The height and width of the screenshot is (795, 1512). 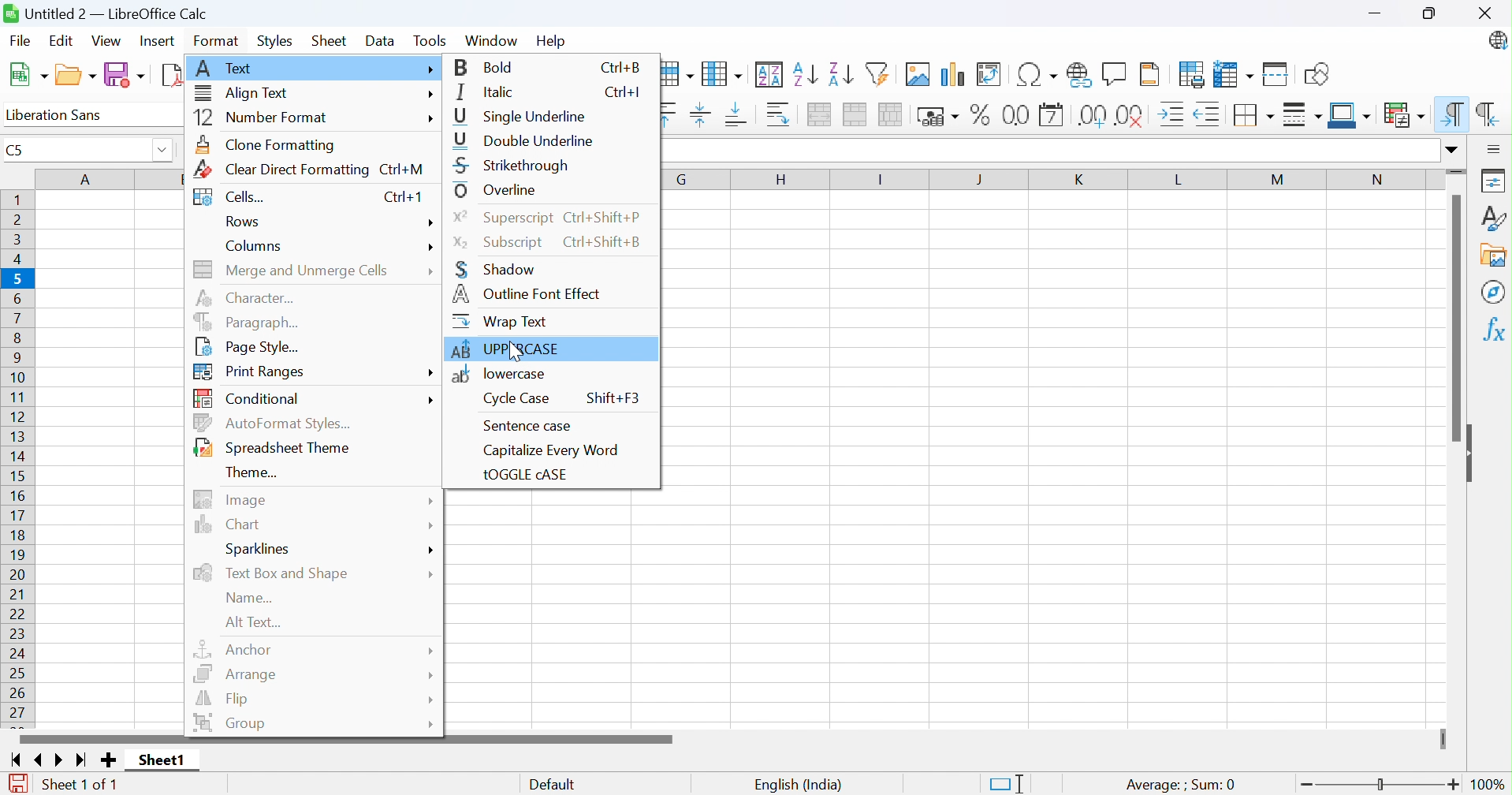 I want to click on More, so click(x=432, y=222).